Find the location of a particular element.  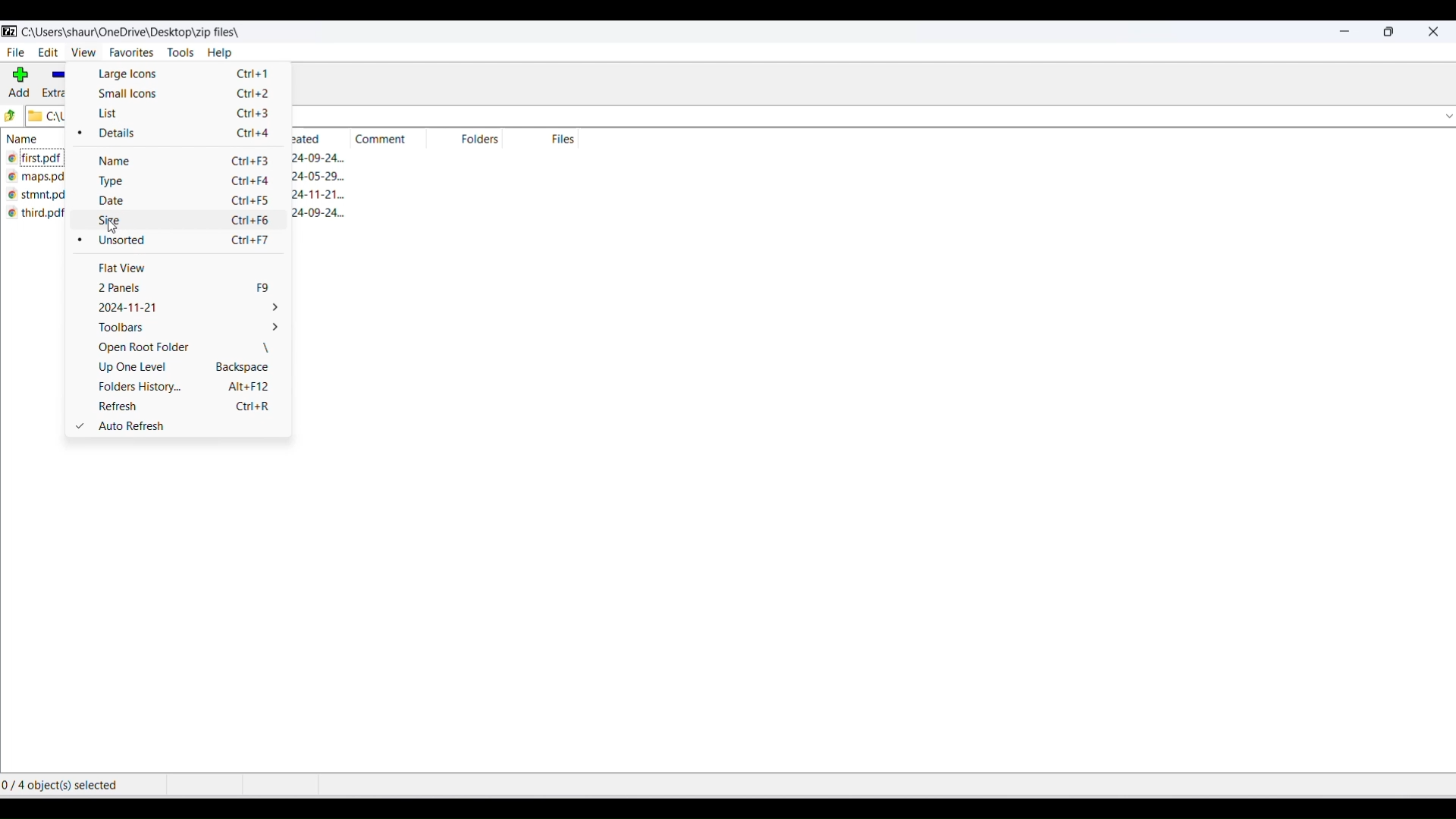

file and folder path is located at coordinates (49, 117).